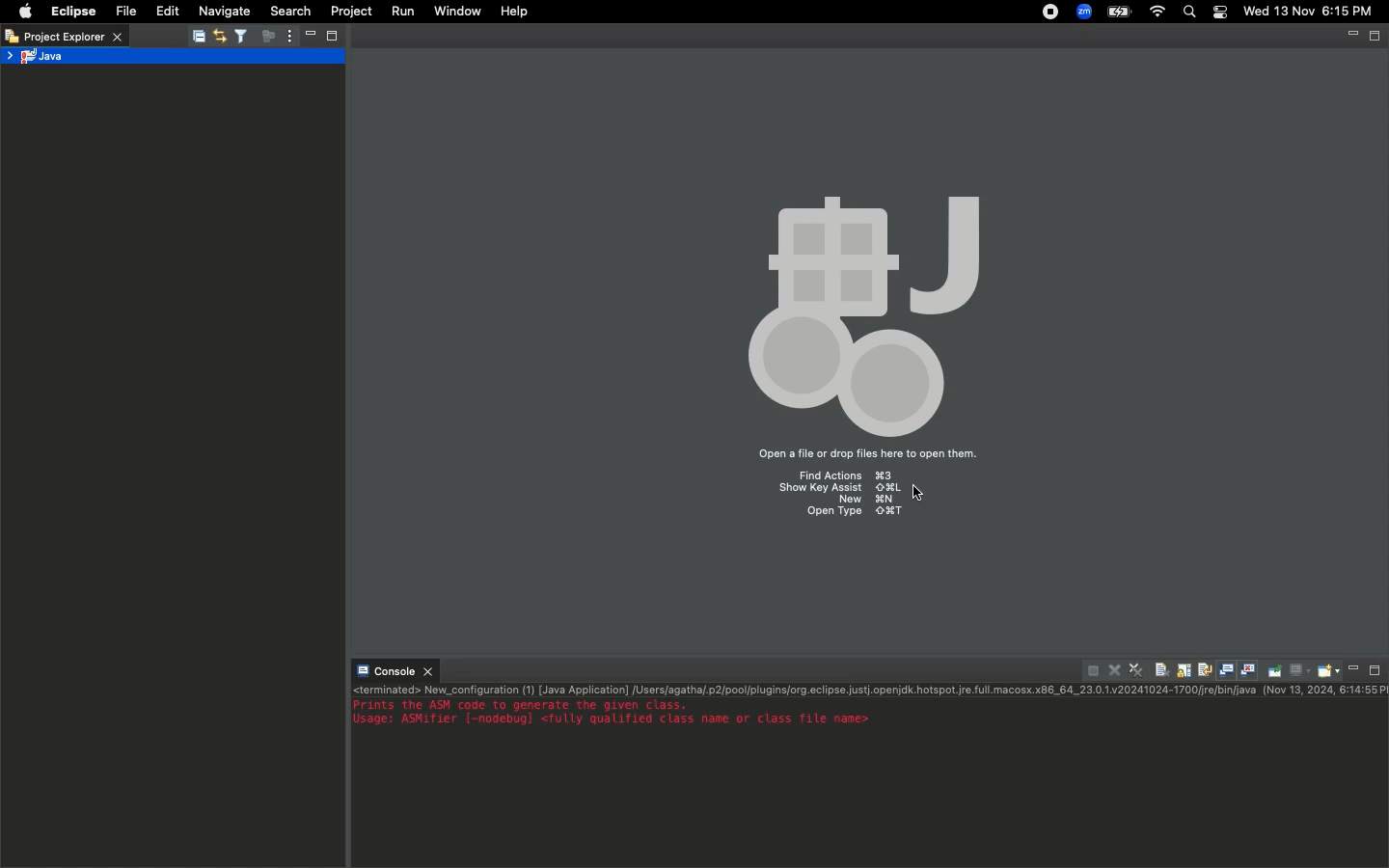 Image resolution: width=1389 pixels, height=868 pixels. I want to click on Focus on active task, so click(268, 36).